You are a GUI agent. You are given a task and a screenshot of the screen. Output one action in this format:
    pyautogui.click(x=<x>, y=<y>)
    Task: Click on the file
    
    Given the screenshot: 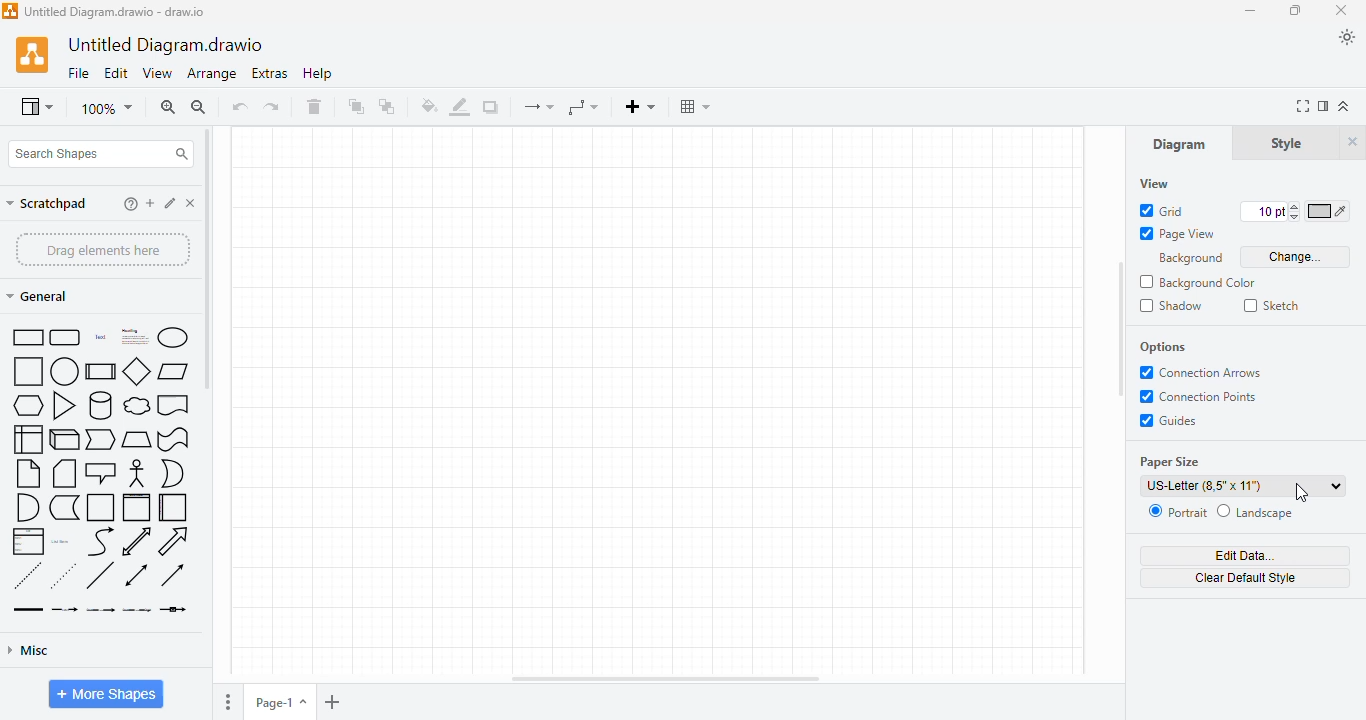 What is the action you would take?
    pyautogui.click(x=79, y=74)
    